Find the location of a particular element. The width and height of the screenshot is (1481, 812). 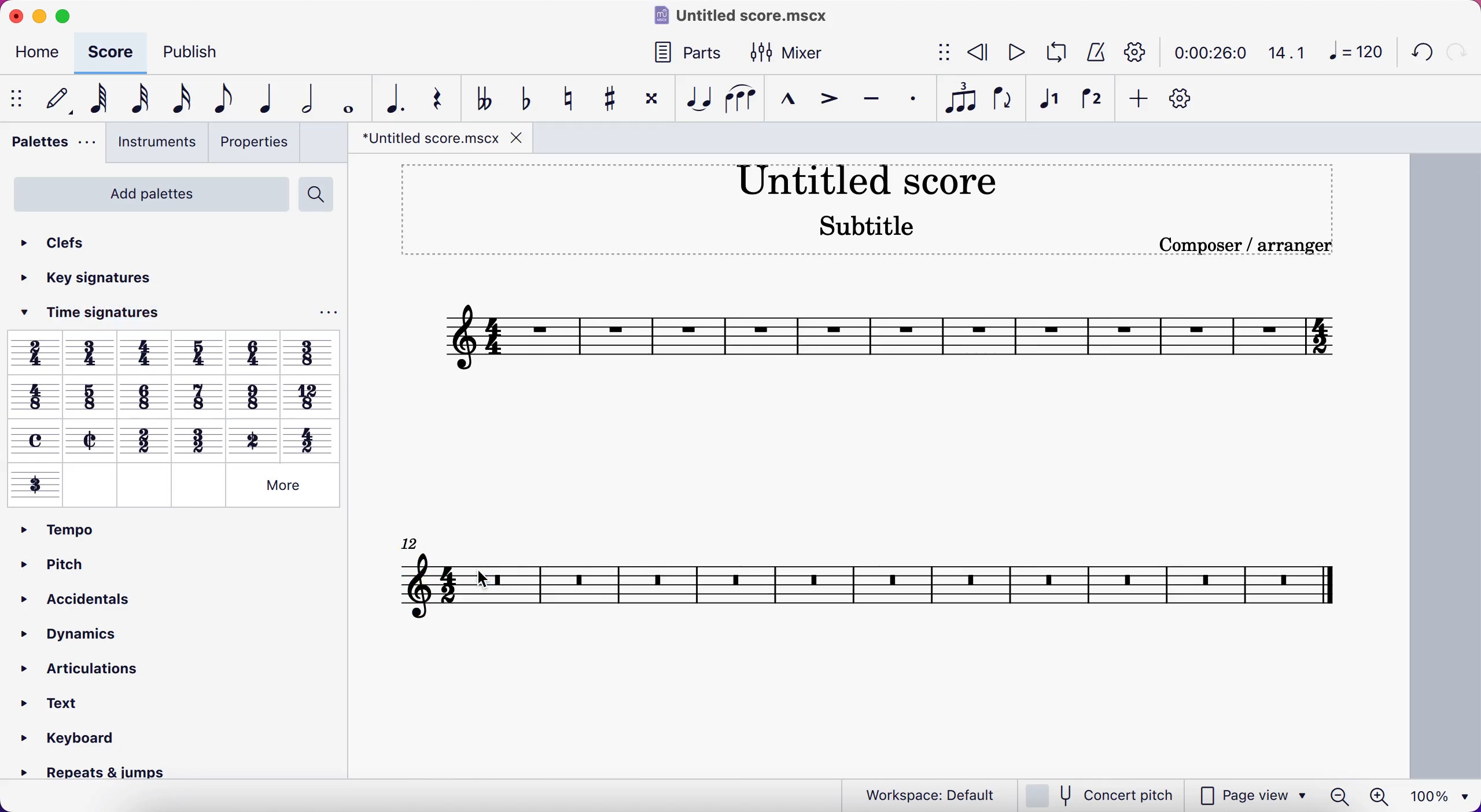

voice 1 is located at coordinates (1047, 98).